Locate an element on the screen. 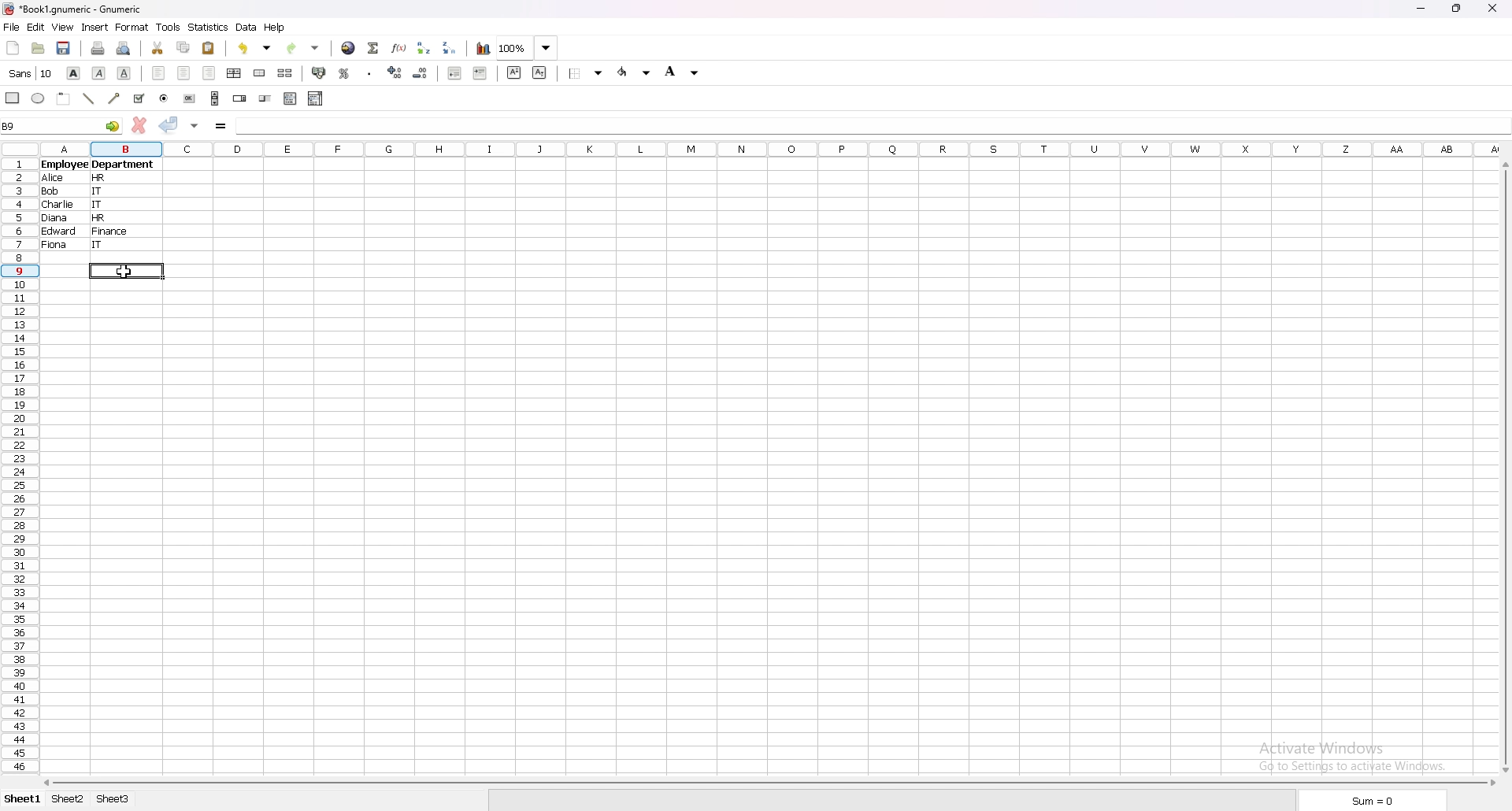  line is located at coordinates (87, 99).